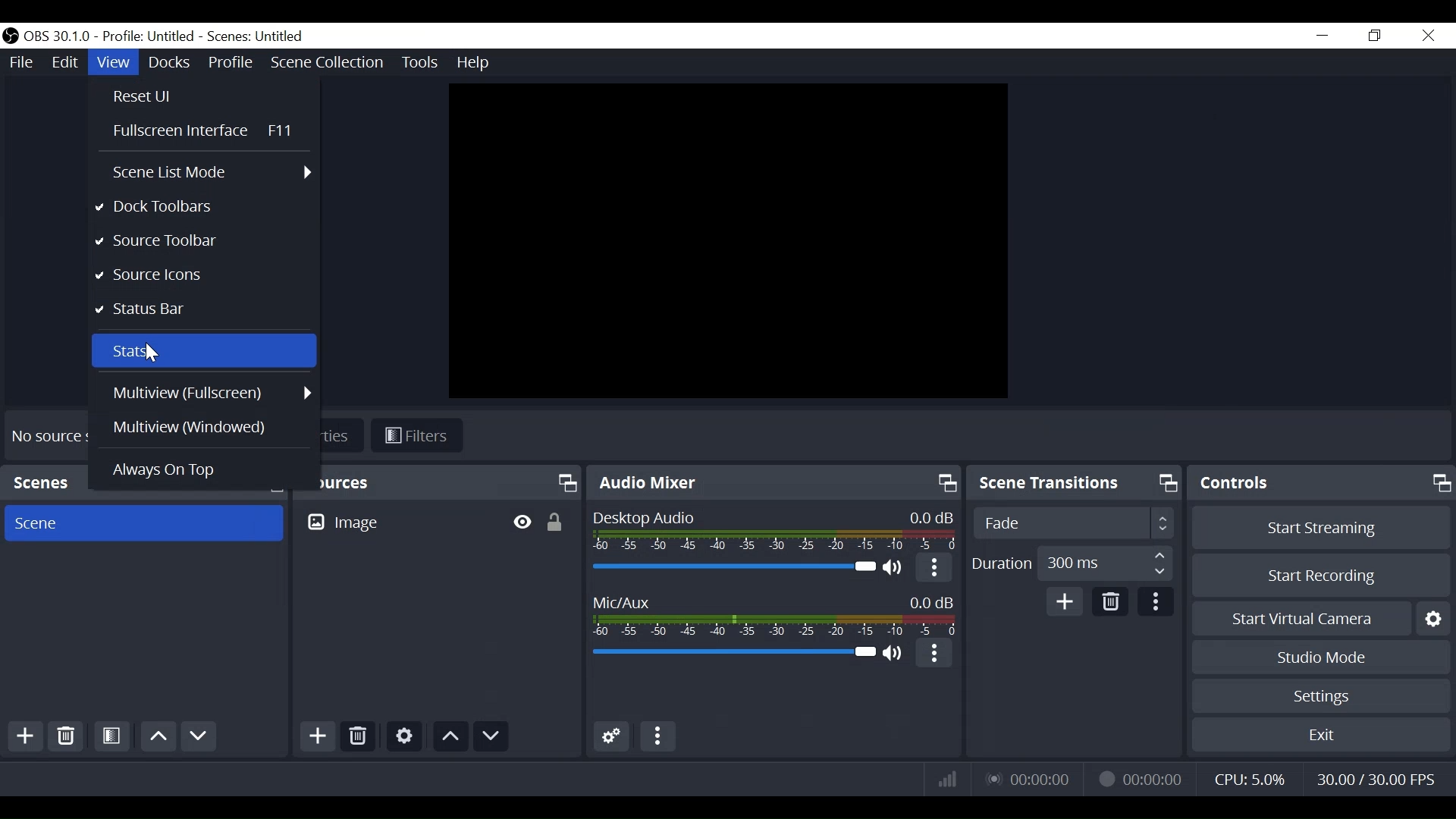 Image resolution: width=1456 pixels, height=819 pixels. What do you see at coordinates (732, 568) in the screenshot?
I see `Desktop Audio` at bounding box center [732, 568].